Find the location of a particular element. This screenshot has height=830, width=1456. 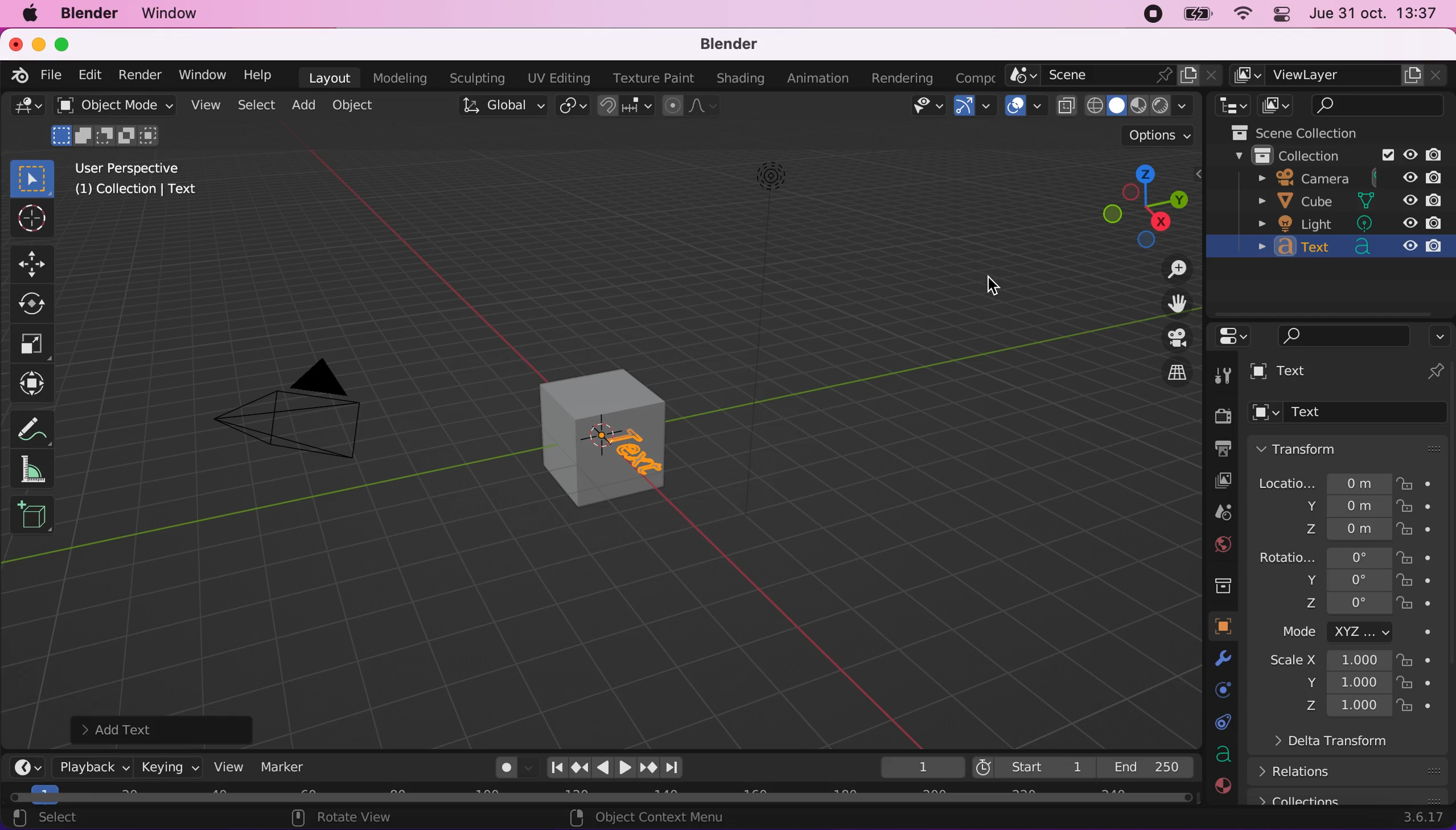

uv editing is located at coordinates (556, 79).